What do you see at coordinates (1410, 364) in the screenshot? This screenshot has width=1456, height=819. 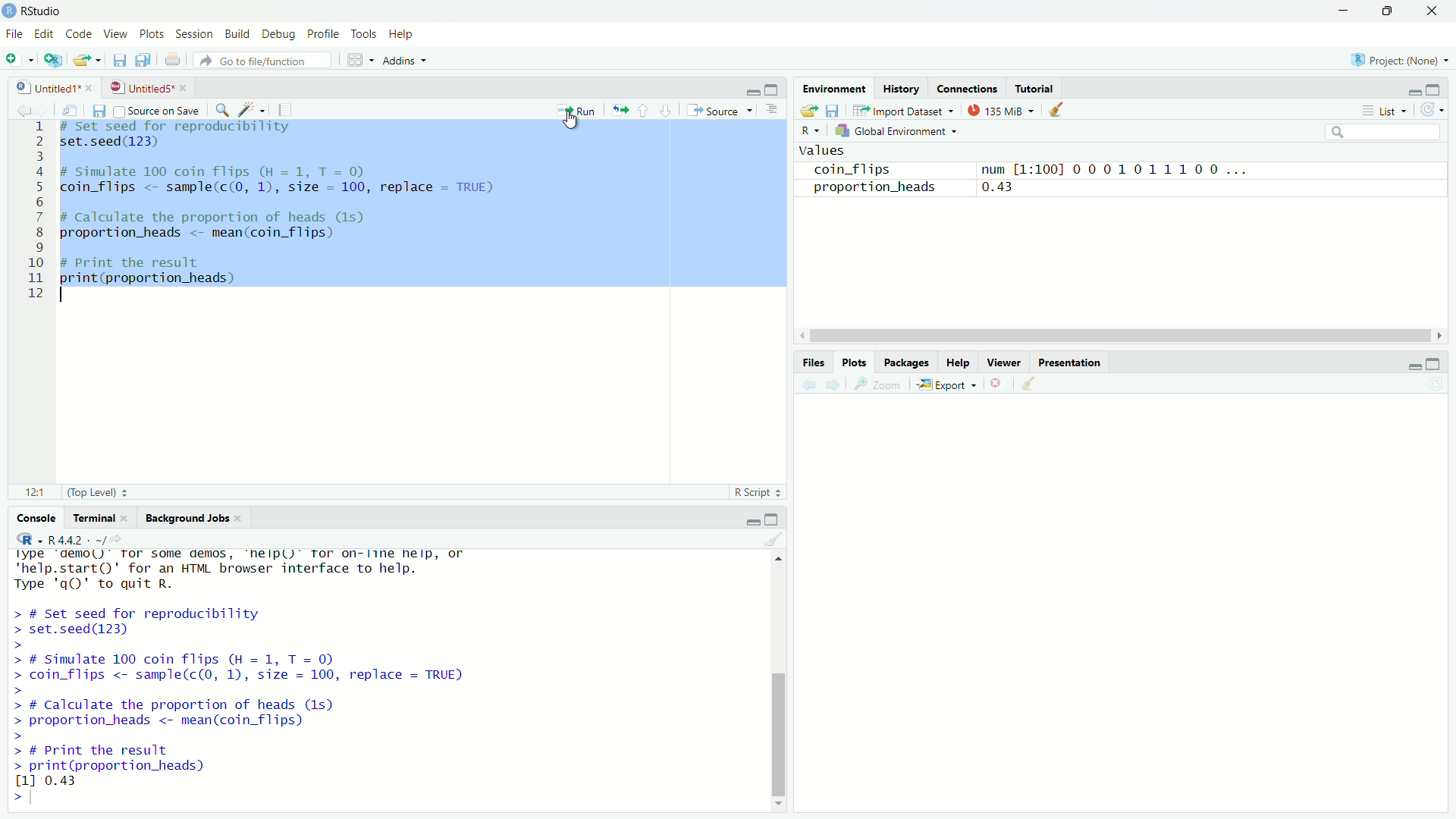 I see `minimize` at bounding box center [1410, 364].